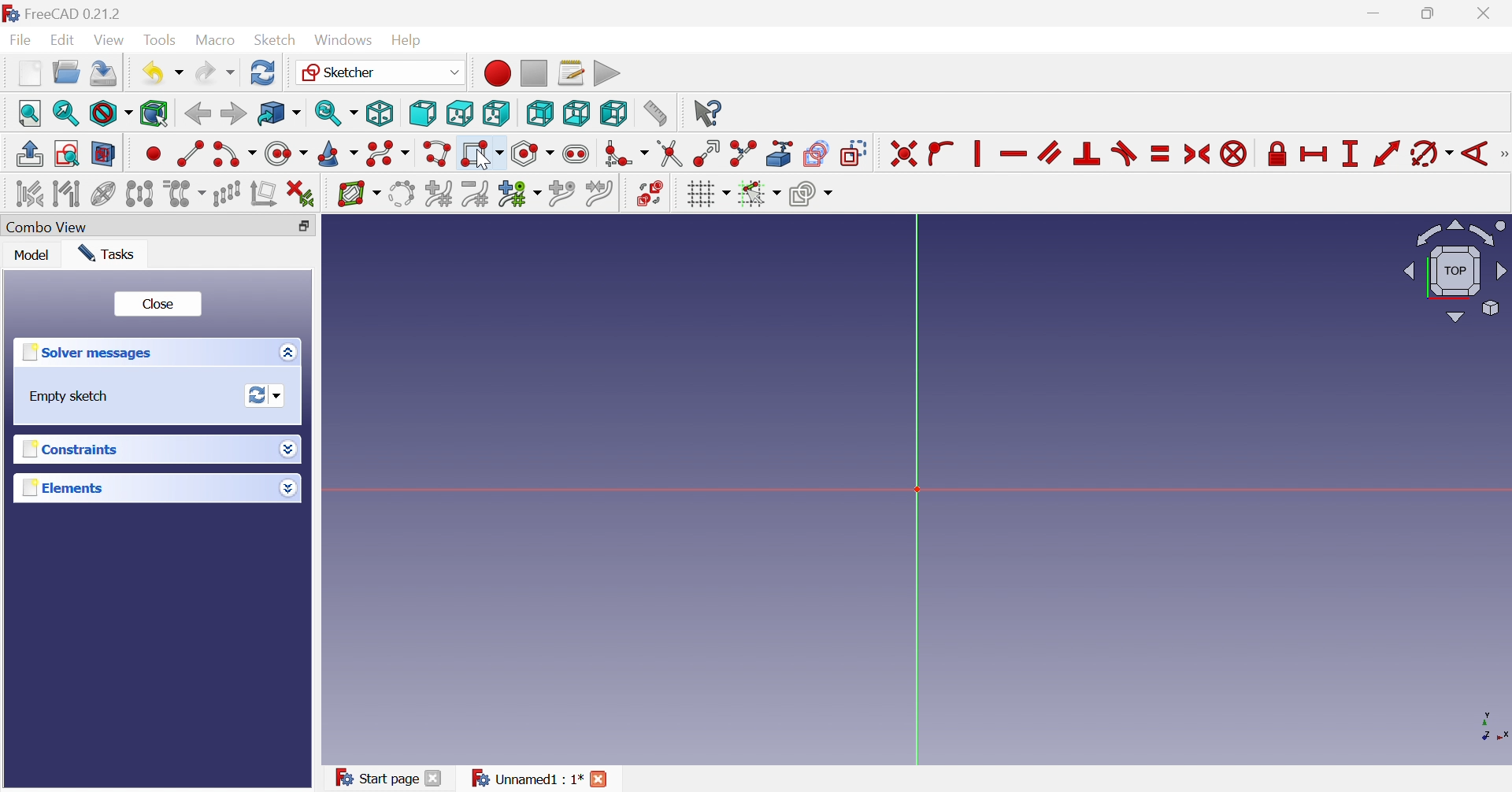  Describe the element at coordinates (781, 153) in the screenshot. I see `Create external geometry` at that location.